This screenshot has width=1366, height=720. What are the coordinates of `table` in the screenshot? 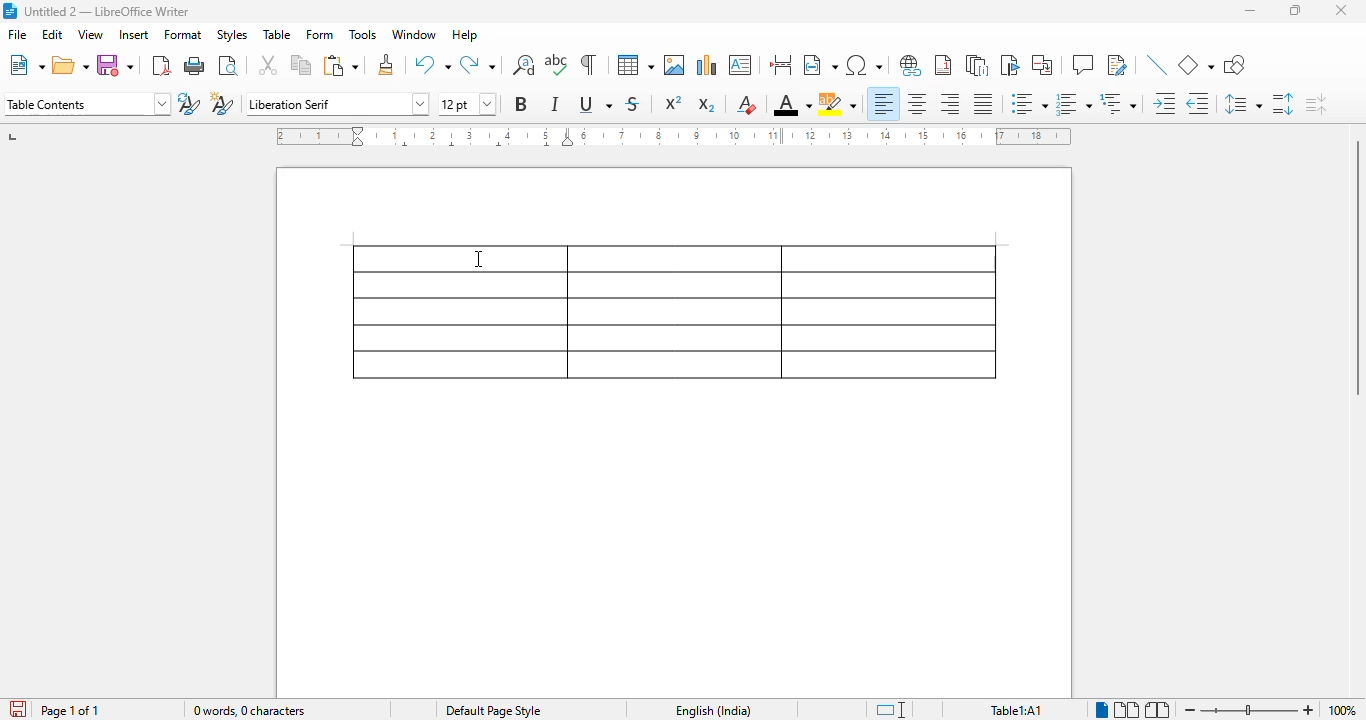 It's located at (674, 311).